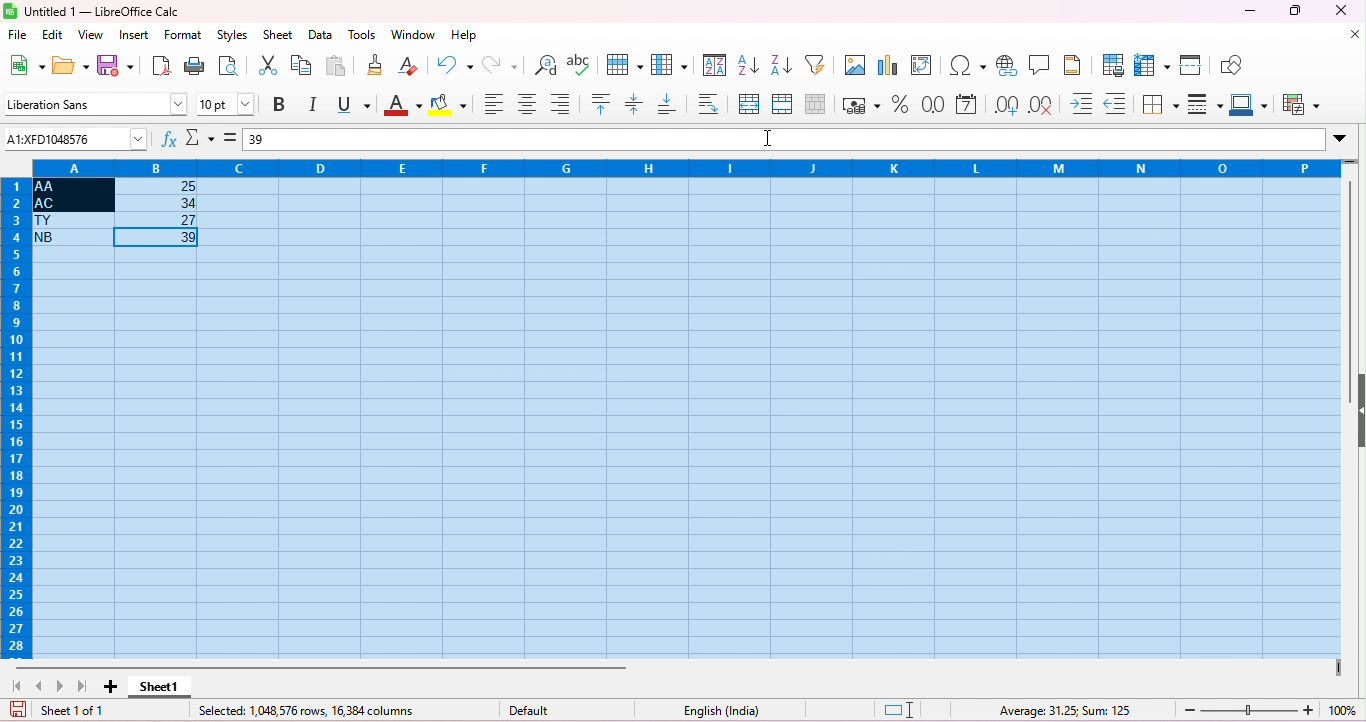  Describe the element at coordinates (194, 65) in the screenshot. I see `print` at that location.